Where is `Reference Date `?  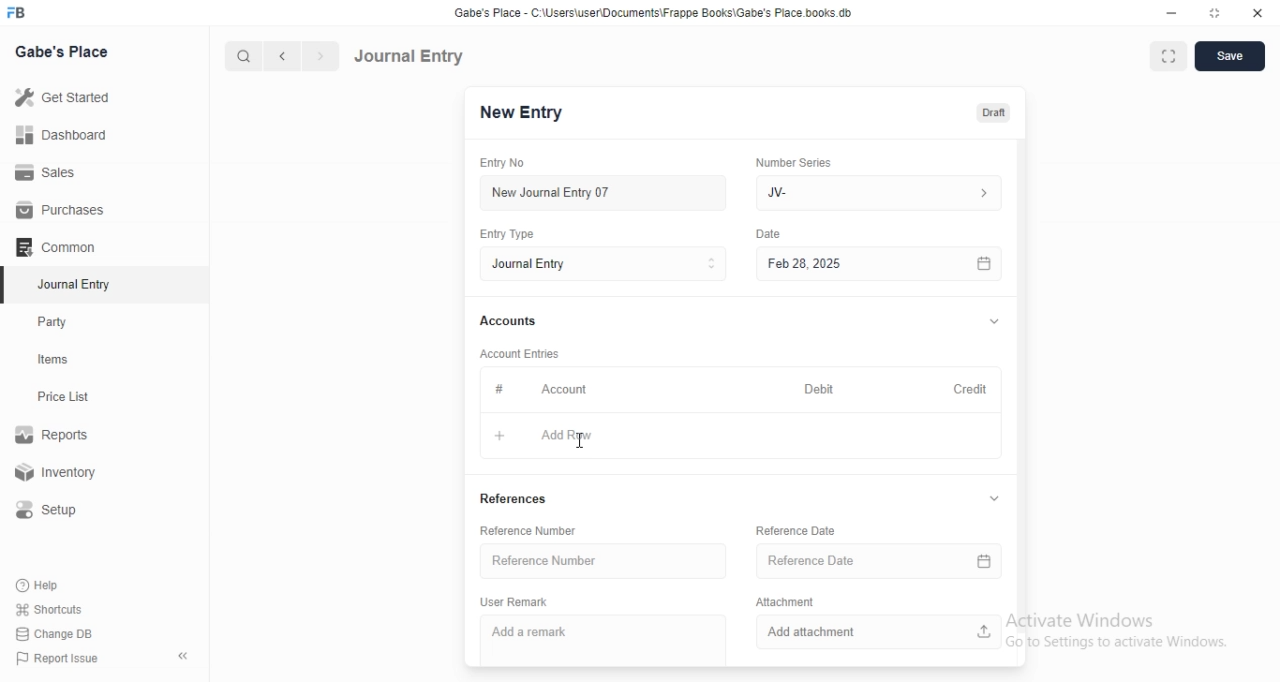
Reference Date  is located at coordinates (874, 561).